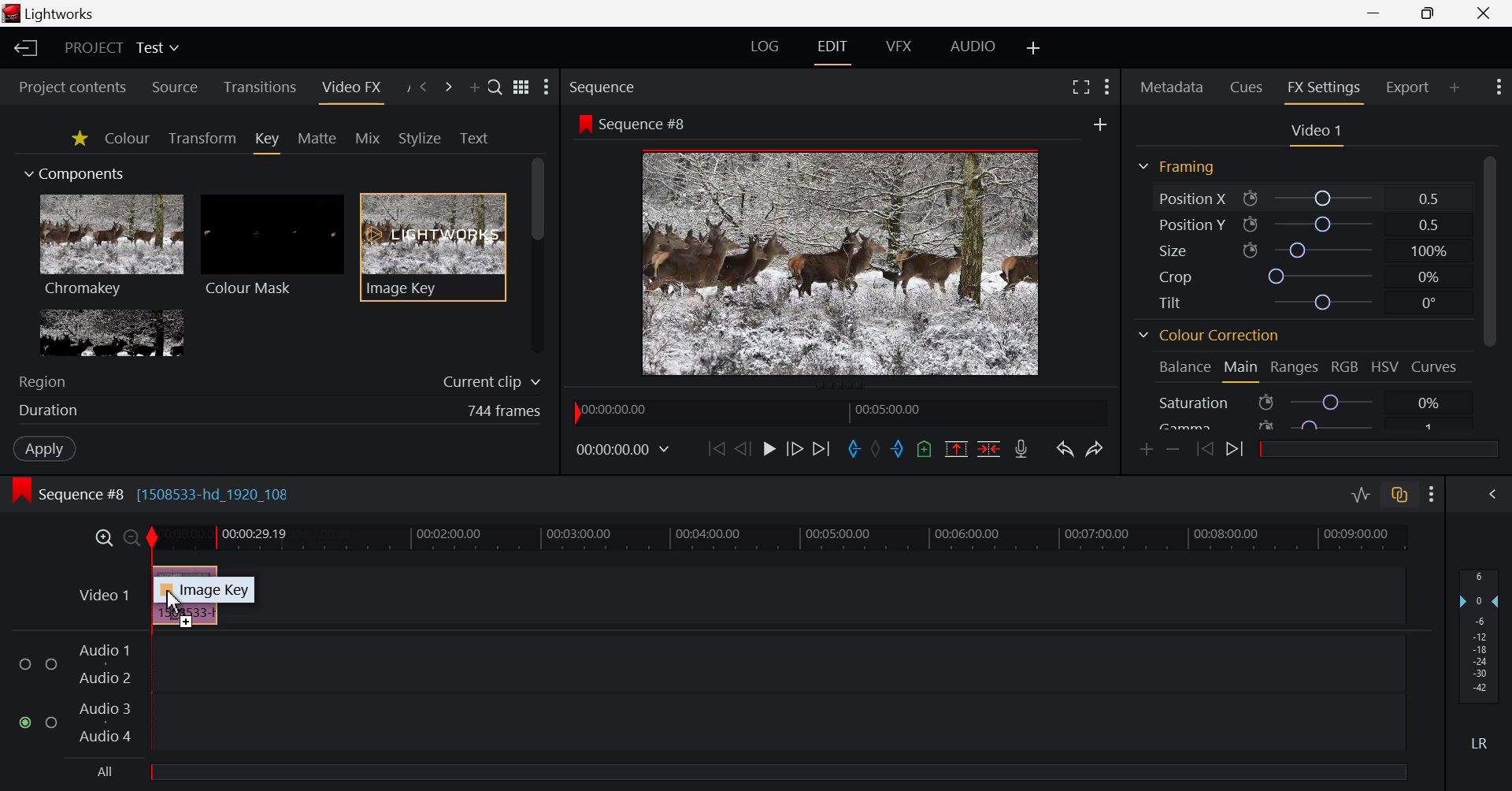  Describe the element at coordinates (52, 14) in the screenshot. I see `lightworks` at that location.